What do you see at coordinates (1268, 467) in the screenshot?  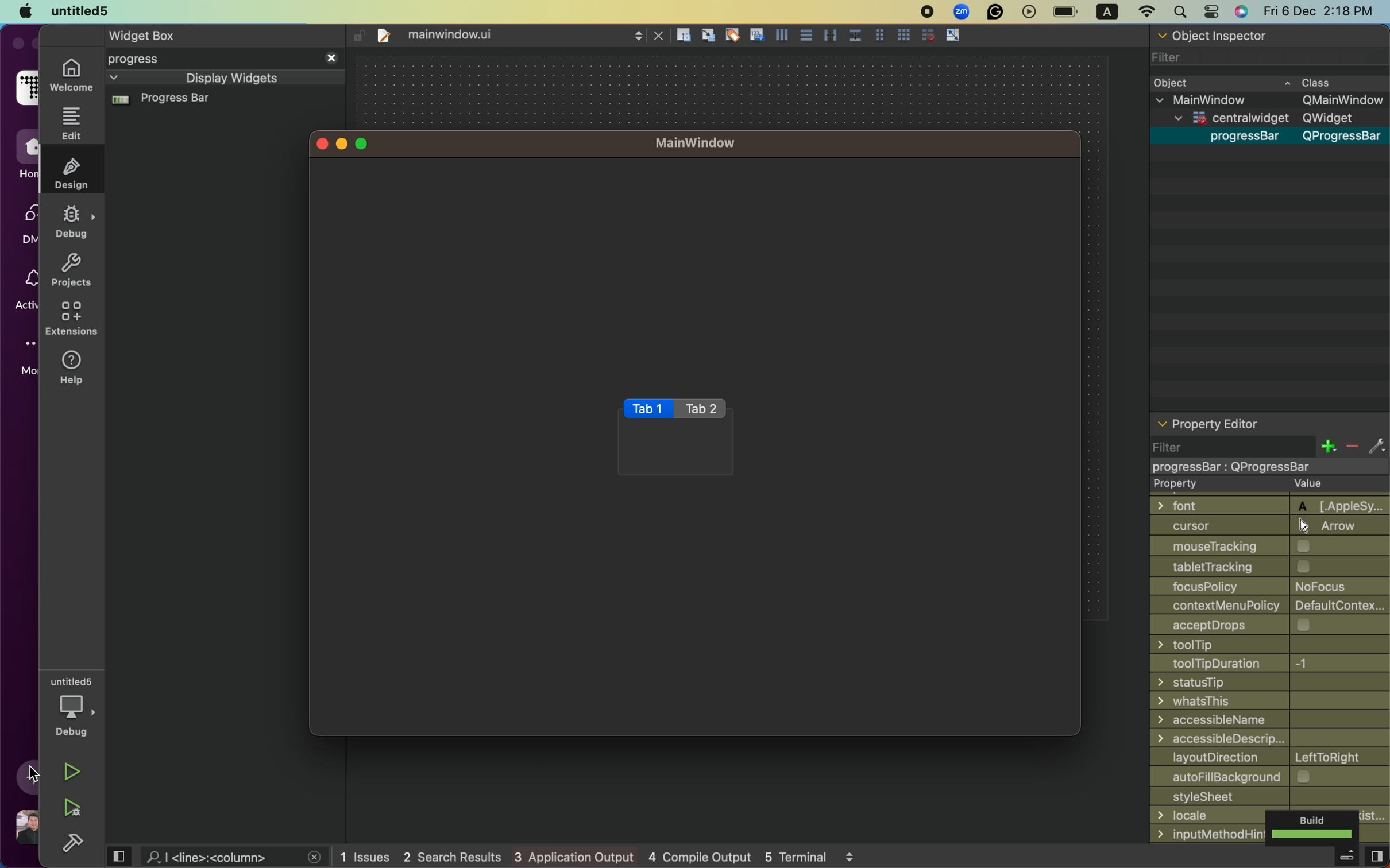 I see `progress bar` at bounding box center [1268, 467].